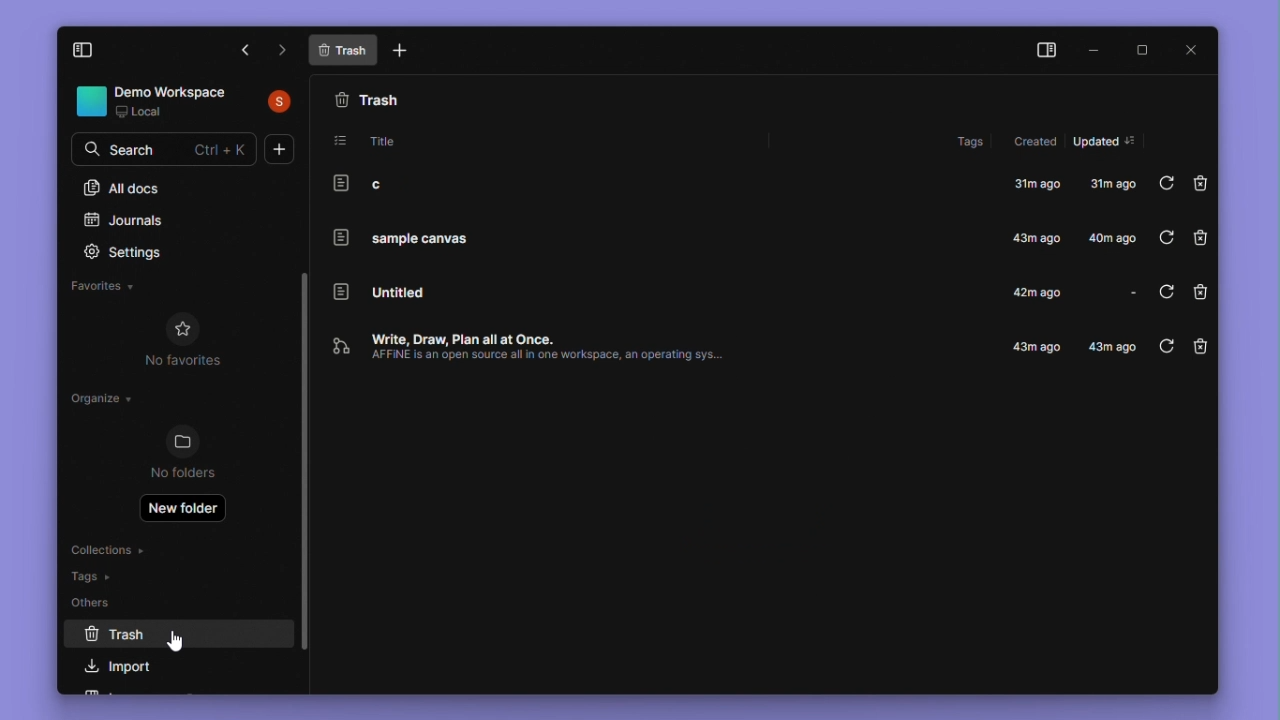  Describe the element at coordinates (1100, 49) in the screenshot. I see `Minimise` at that location.